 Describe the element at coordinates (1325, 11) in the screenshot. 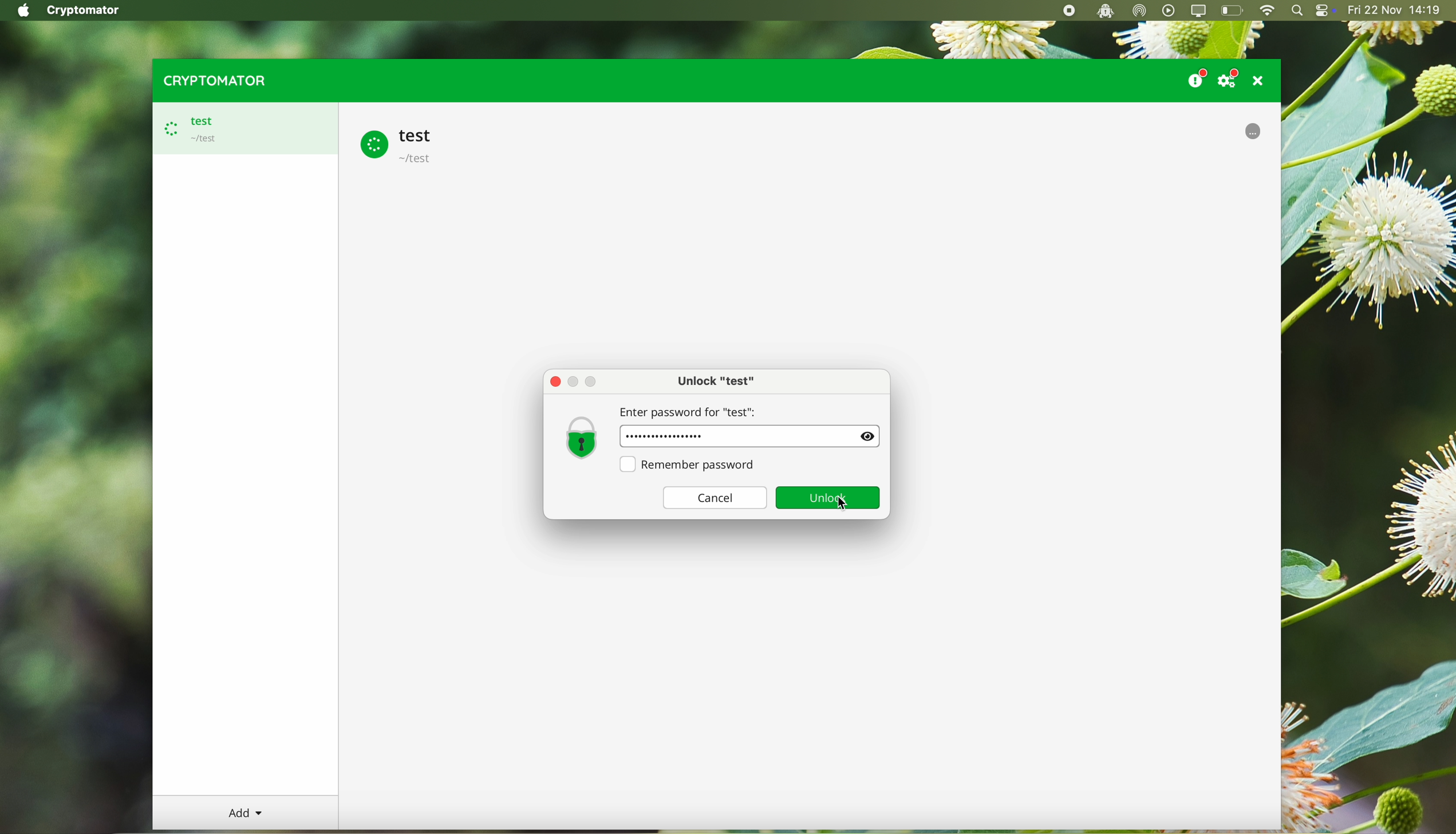

I see `controls` at that location.